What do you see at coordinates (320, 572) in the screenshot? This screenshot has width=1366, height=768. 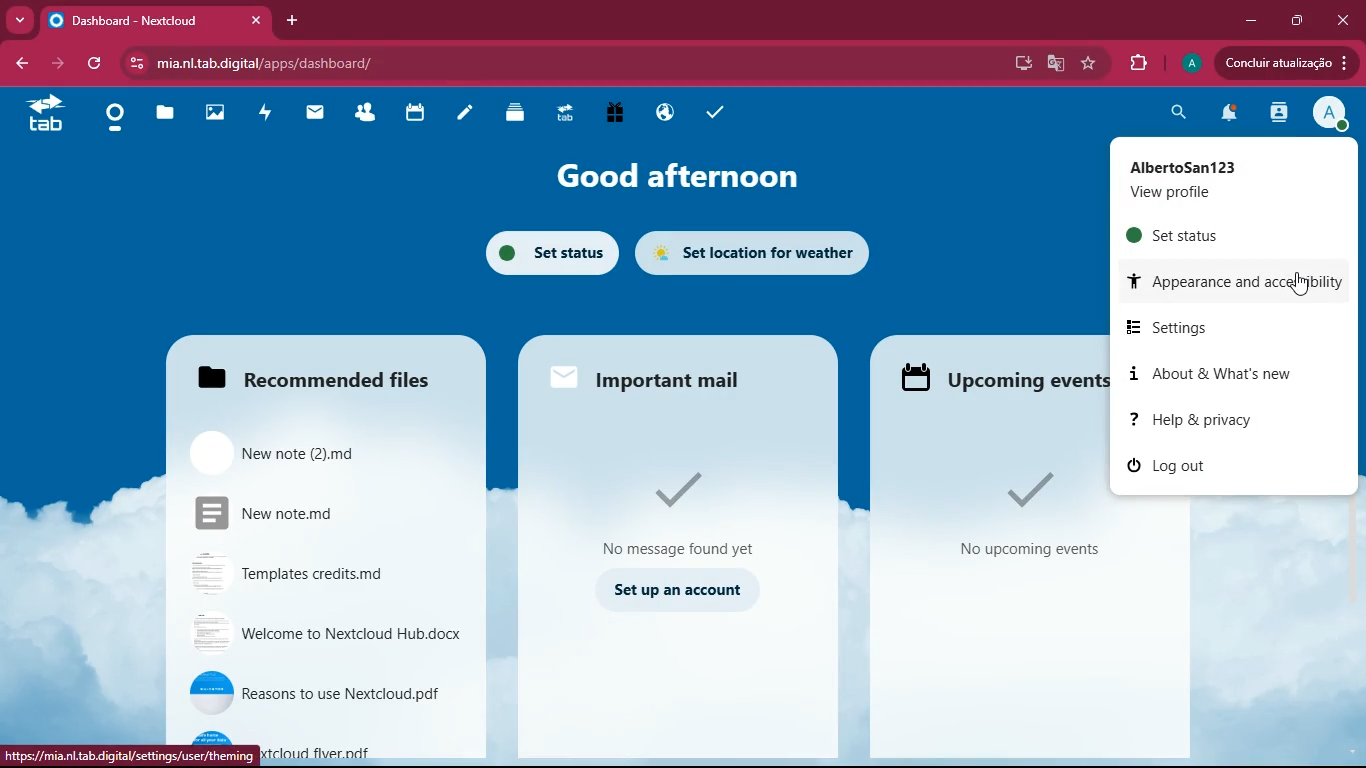 I see `Templates credits.md` at bounding box center [320, 572].